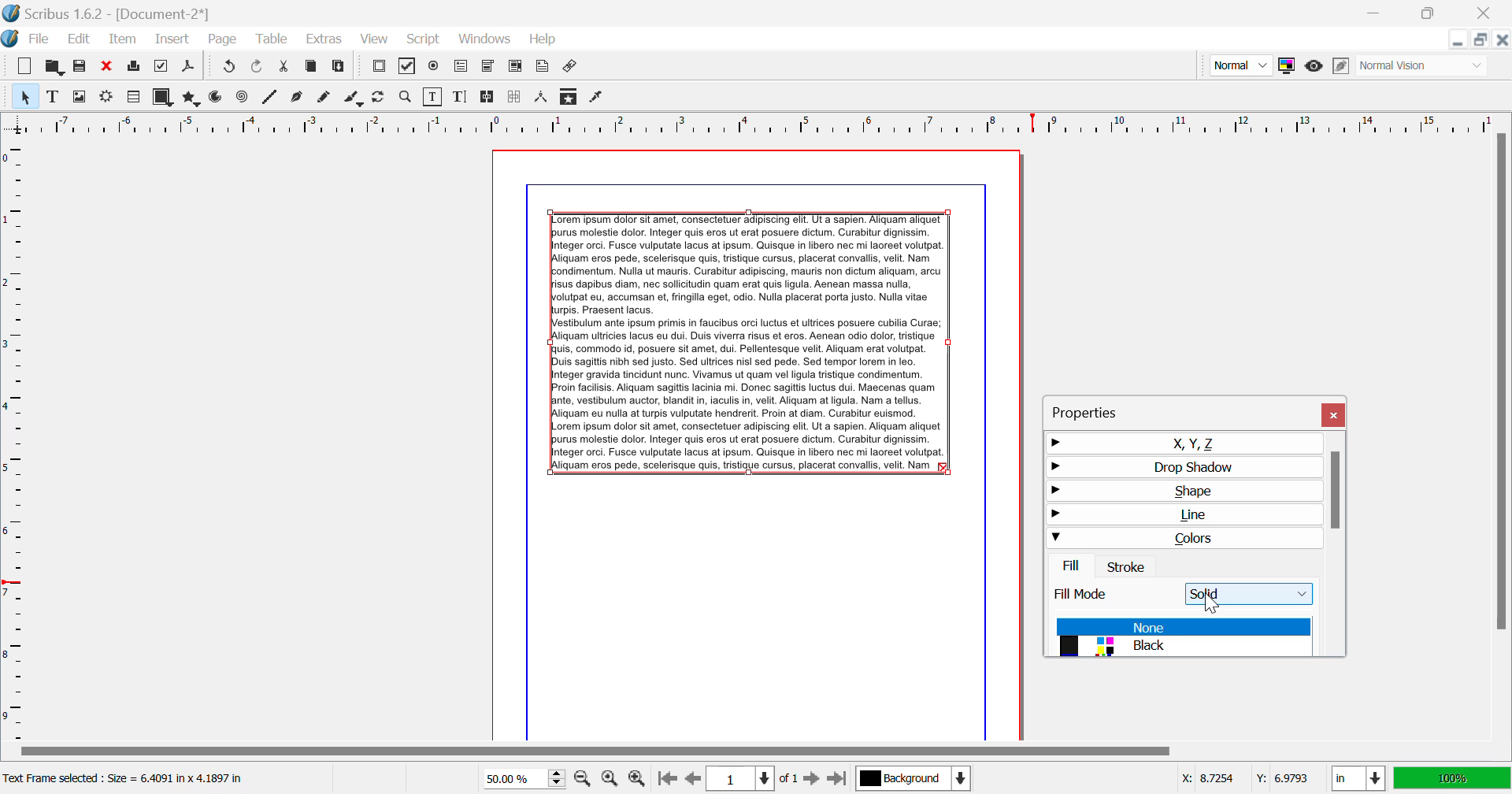 This screenshot has width=1512, height=794. I want to click on Scroll Bar, so click(755, 752).